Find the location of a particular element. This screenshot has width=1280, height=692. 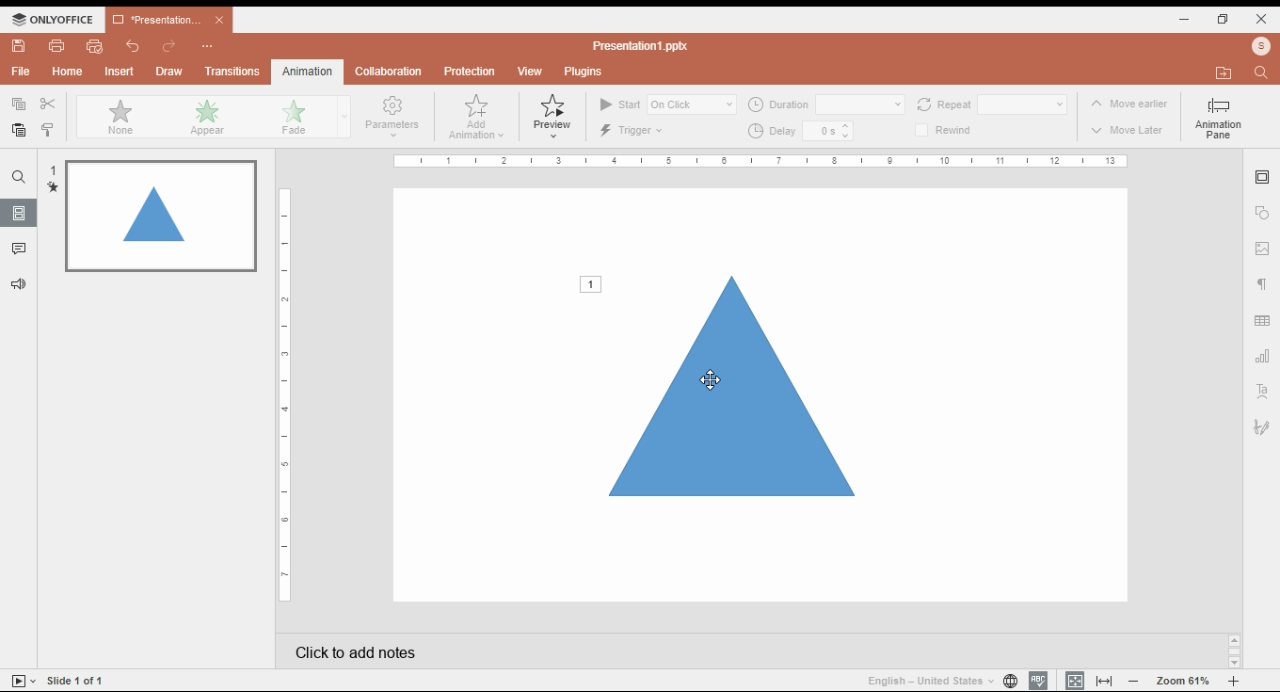

fit to width is located at coordinates (1104, 682).